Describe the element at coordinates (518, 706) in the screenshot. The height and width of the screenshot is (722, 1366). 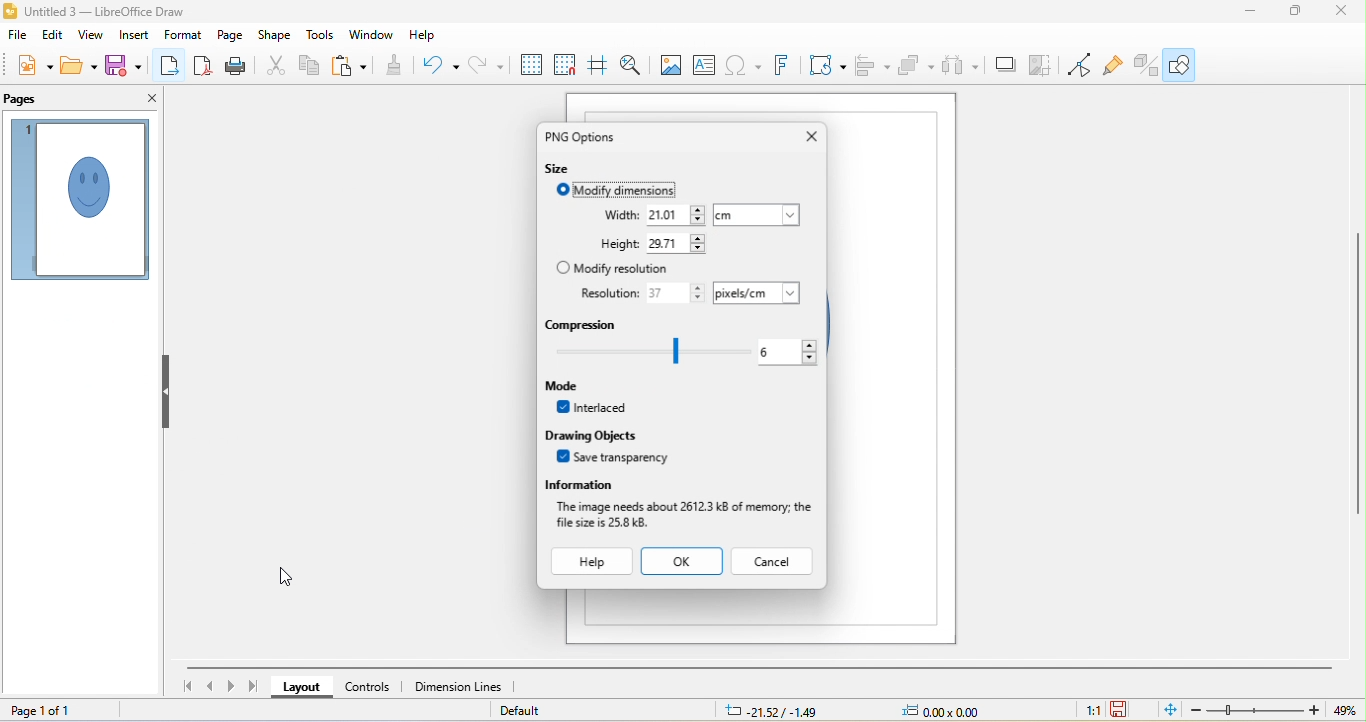
I see `default` at that location.